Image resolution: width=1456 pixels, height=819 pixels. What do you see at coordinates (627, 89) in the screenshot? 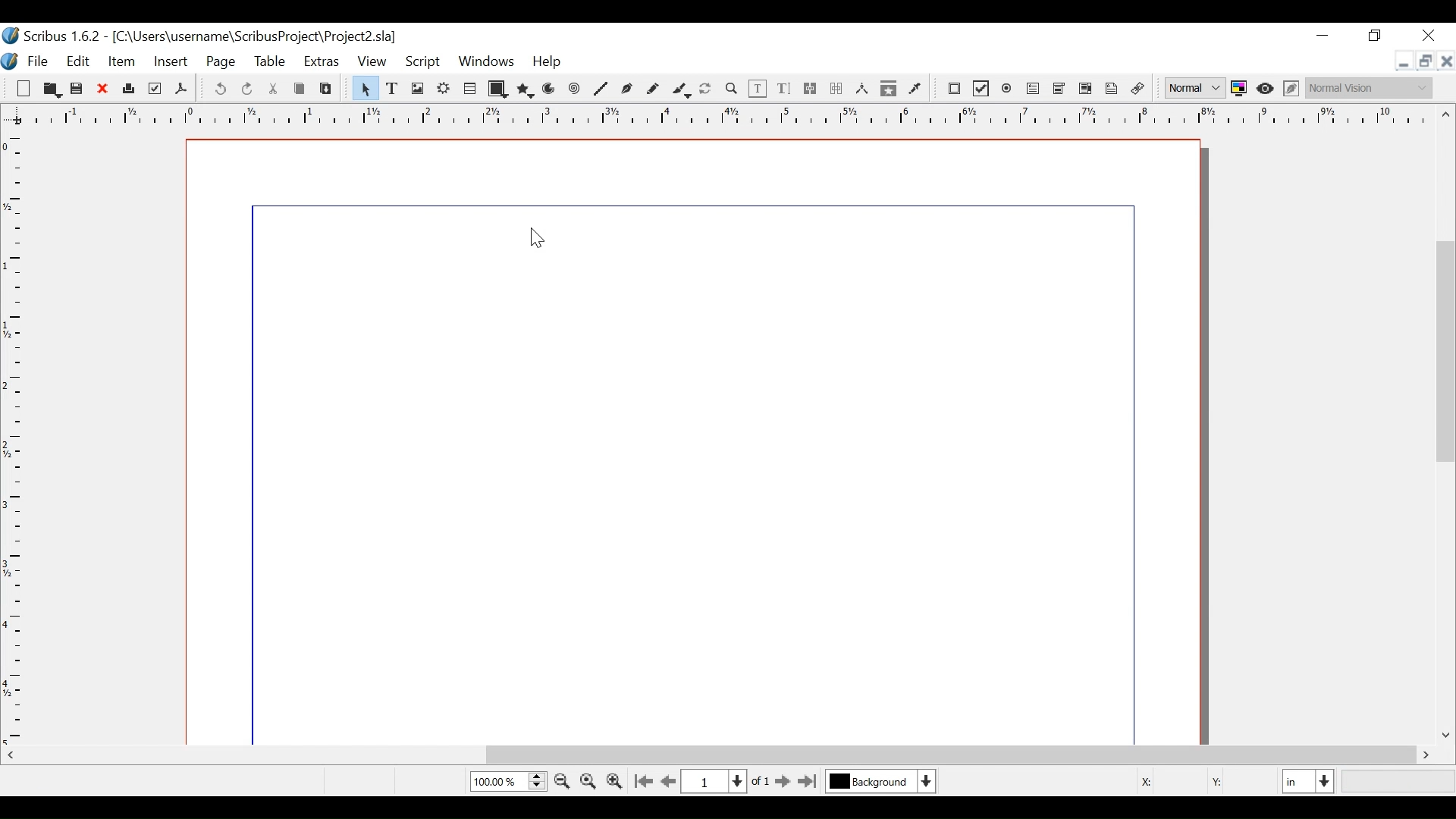
I see `Bezier curve` at bounding box center [627, 89].